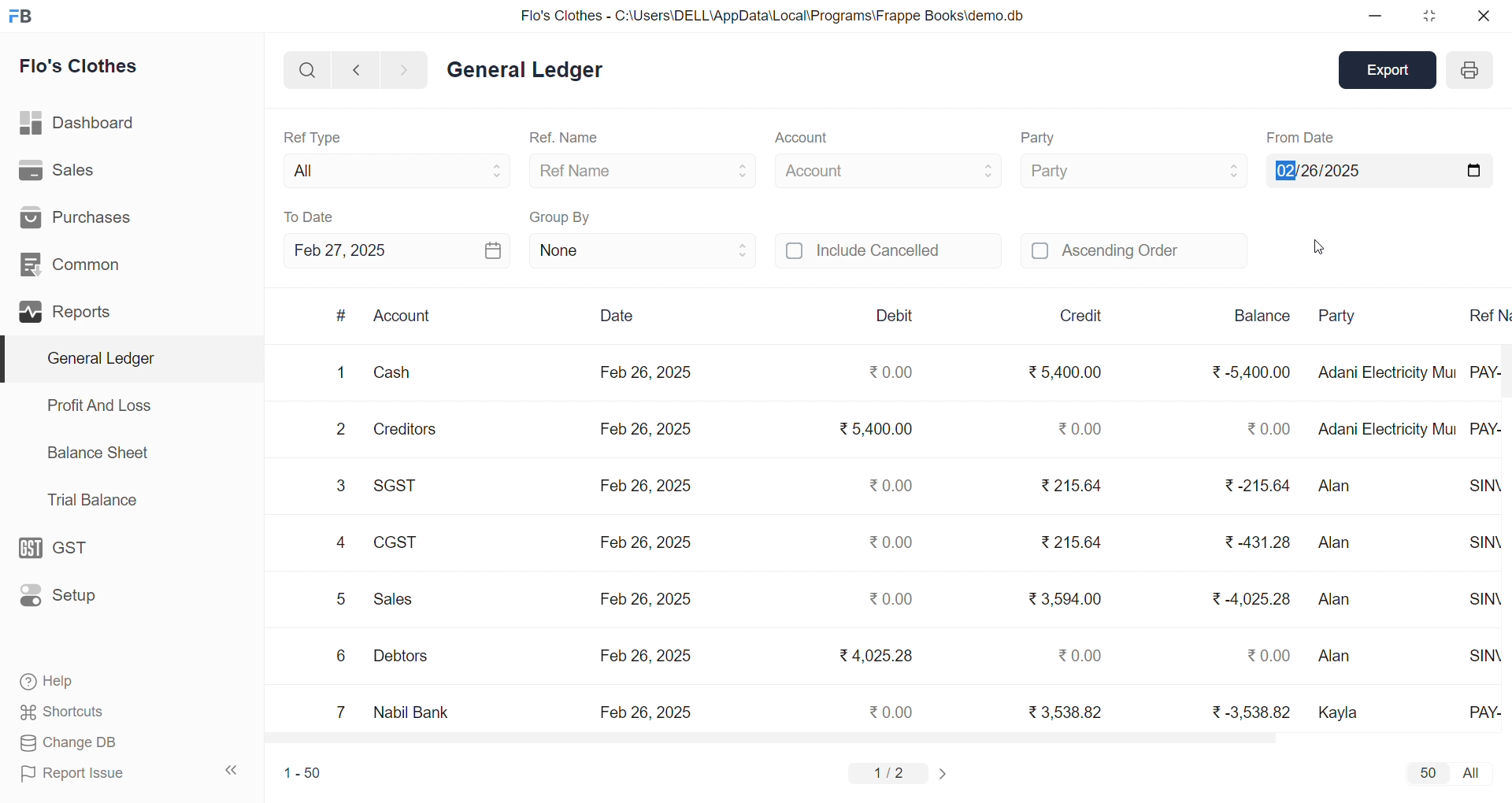 The height and width of the screenshot is (803, 1512). Describe the element at coordinates (888, 168) in the screenshot. I see `Account` at that location.